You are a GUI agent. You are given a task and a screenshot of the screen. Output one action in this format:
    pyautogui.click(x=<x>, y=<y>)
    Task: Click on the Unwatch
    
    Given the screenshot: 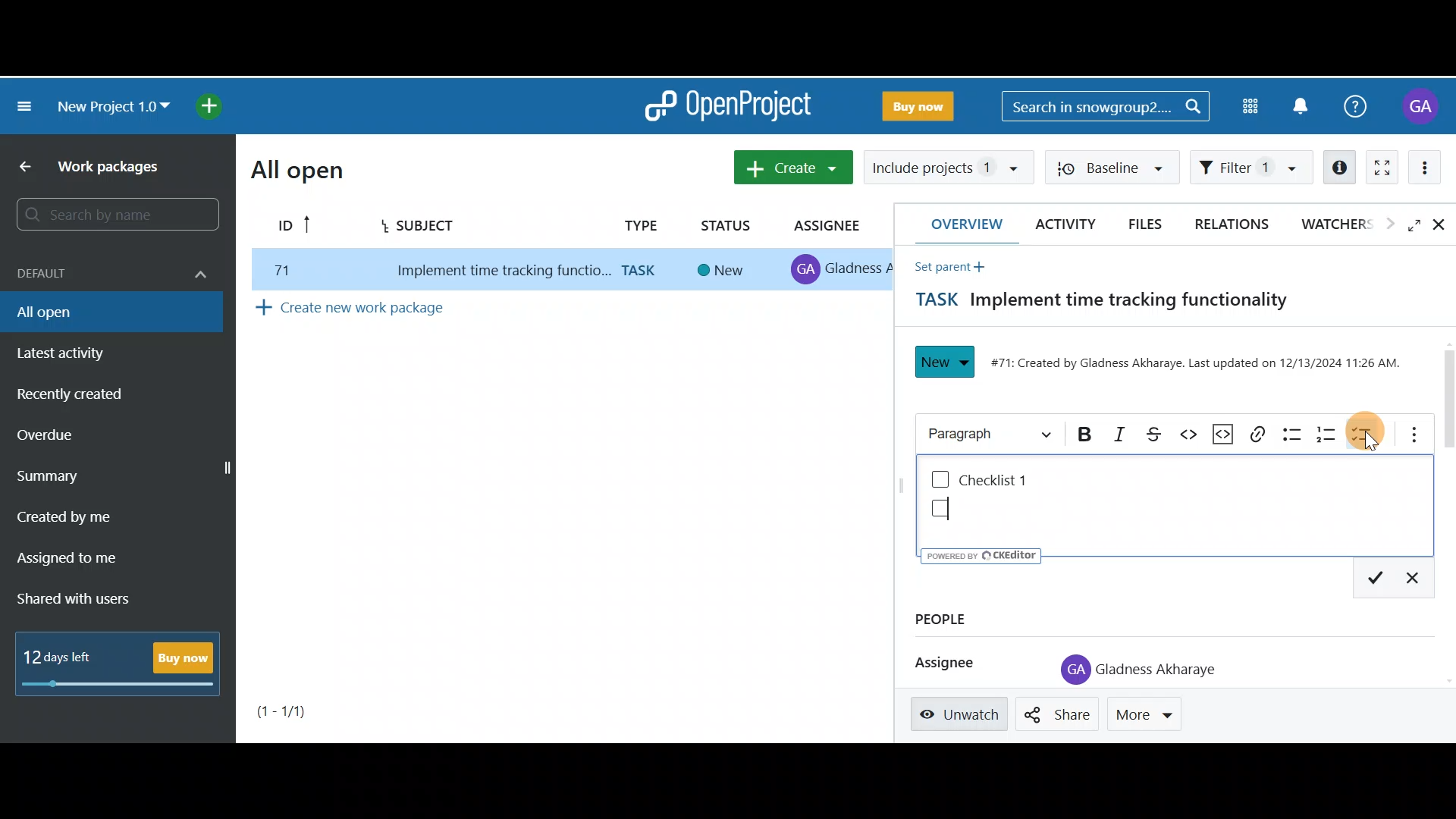 What is the action you would take?
    pyautogui.click(x=962, y=714)
    